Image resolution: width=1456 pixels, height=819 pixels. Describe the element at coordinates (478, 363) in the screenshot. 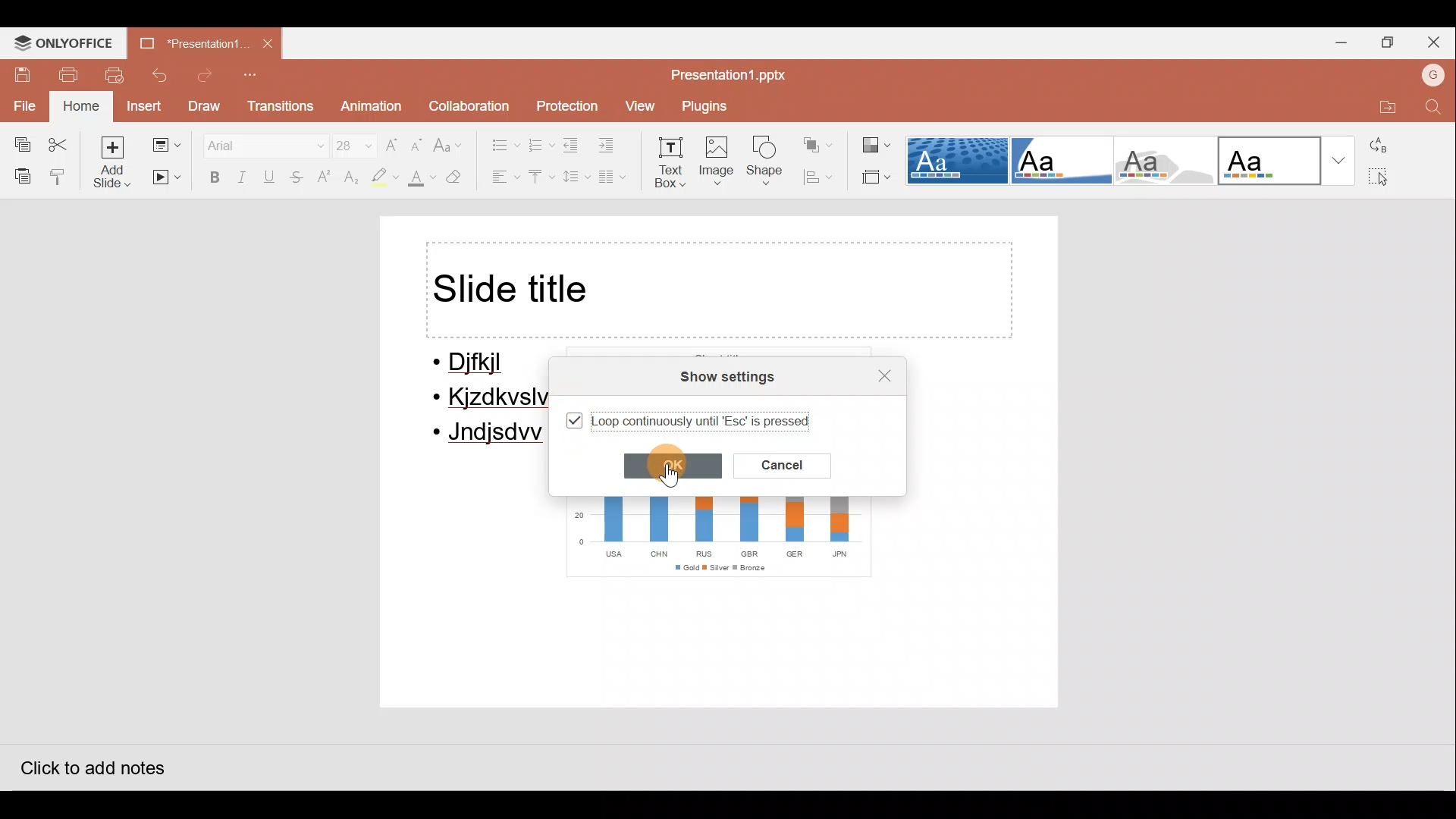

I see `Djfkjl` at that location.